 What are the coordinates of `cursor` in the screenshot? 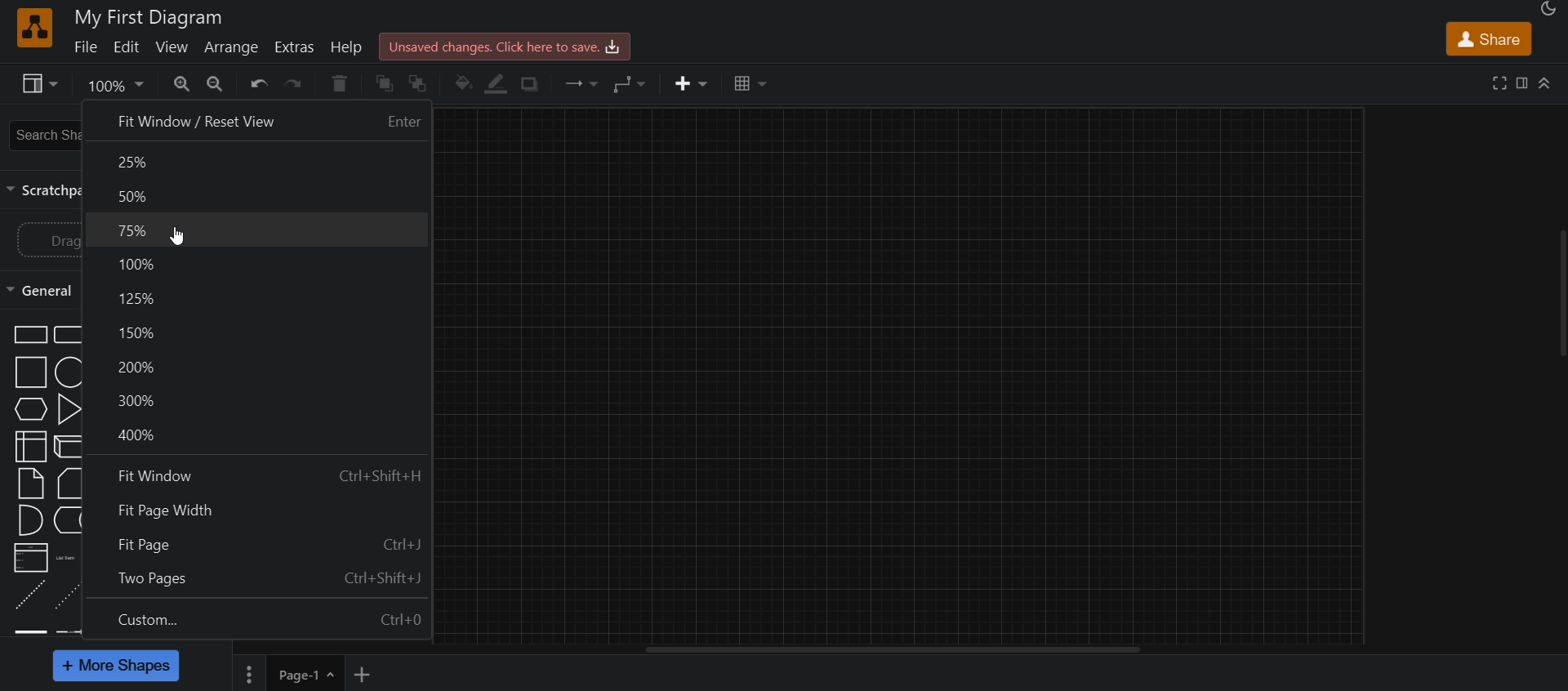 It's located at (172, 237).